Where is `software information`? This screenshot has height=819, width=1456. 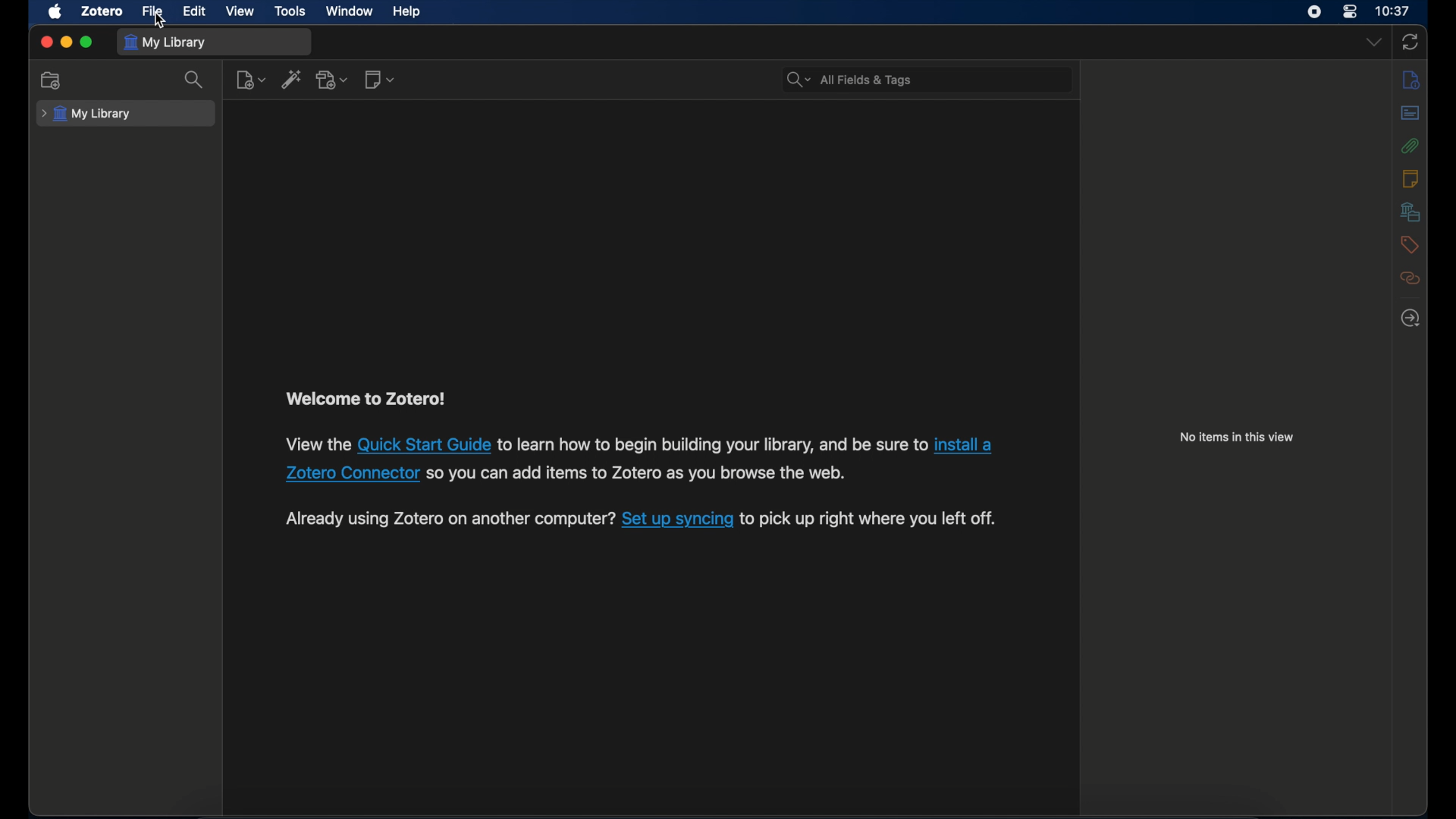
software information is located at coordinates (643, 473).